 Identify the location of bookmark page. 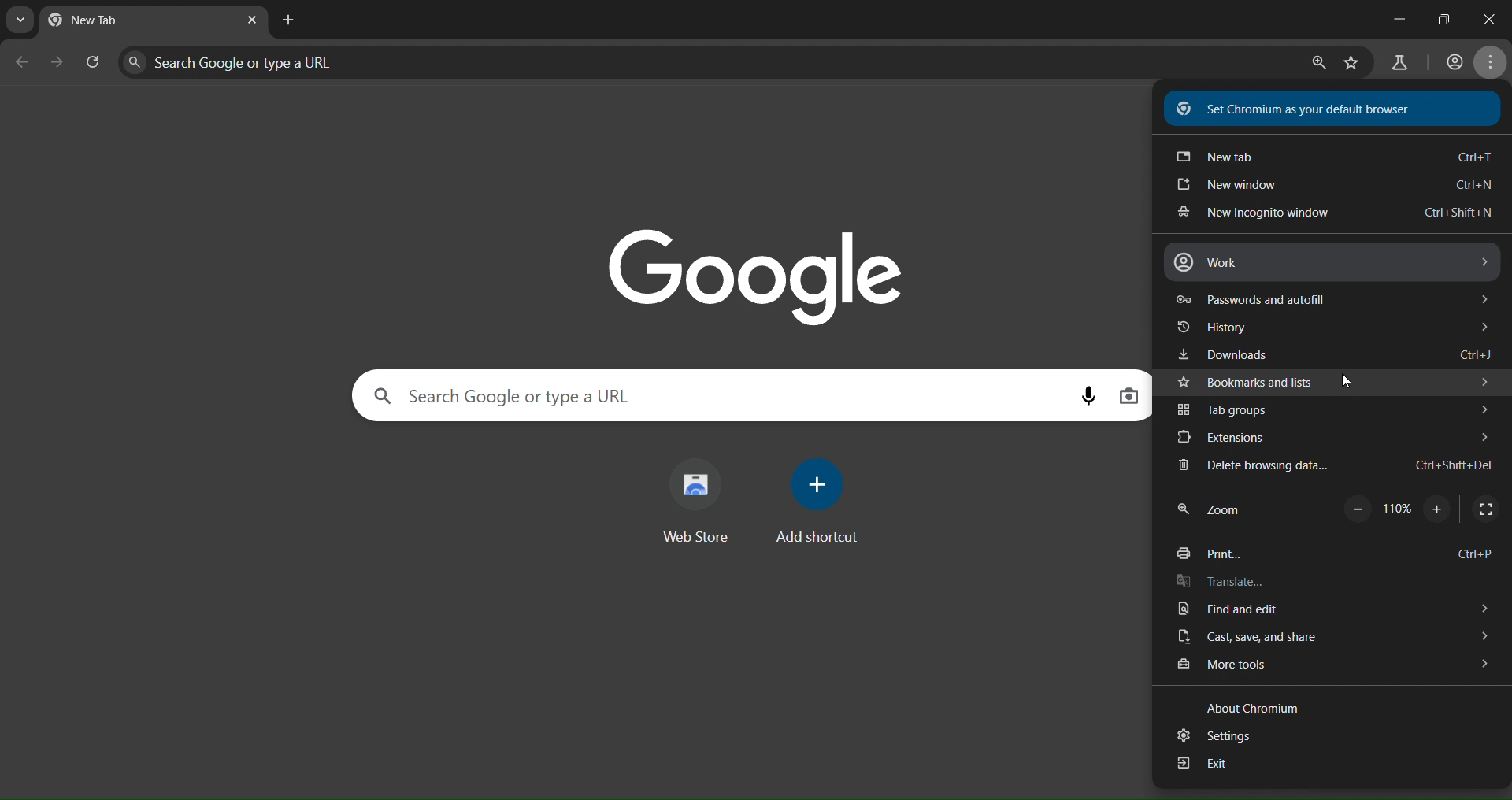
(1353, 61).